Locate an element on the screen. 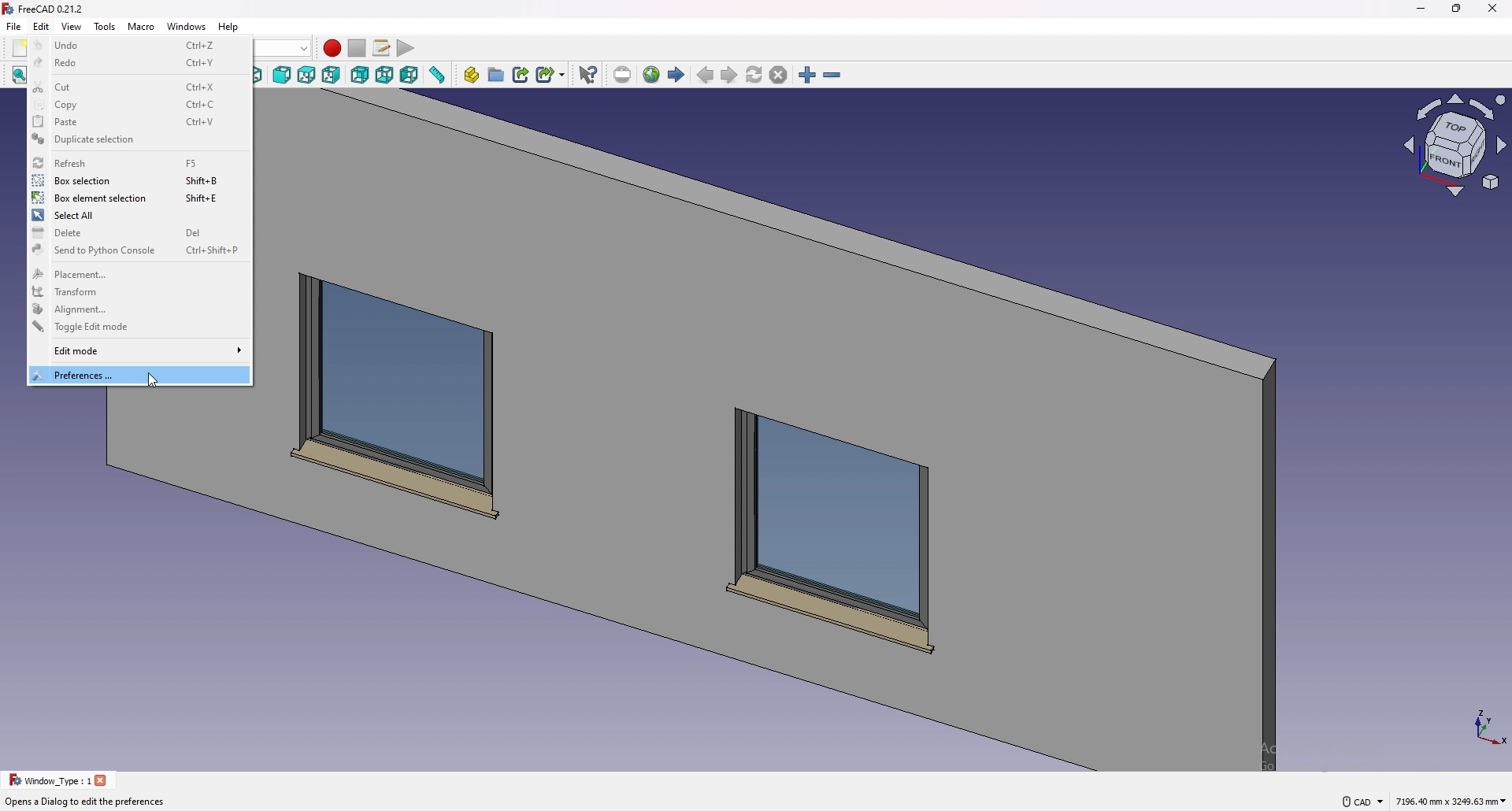 The height and width of the screenshot is (811, 1512). macro is located at coordinates (142, 27).